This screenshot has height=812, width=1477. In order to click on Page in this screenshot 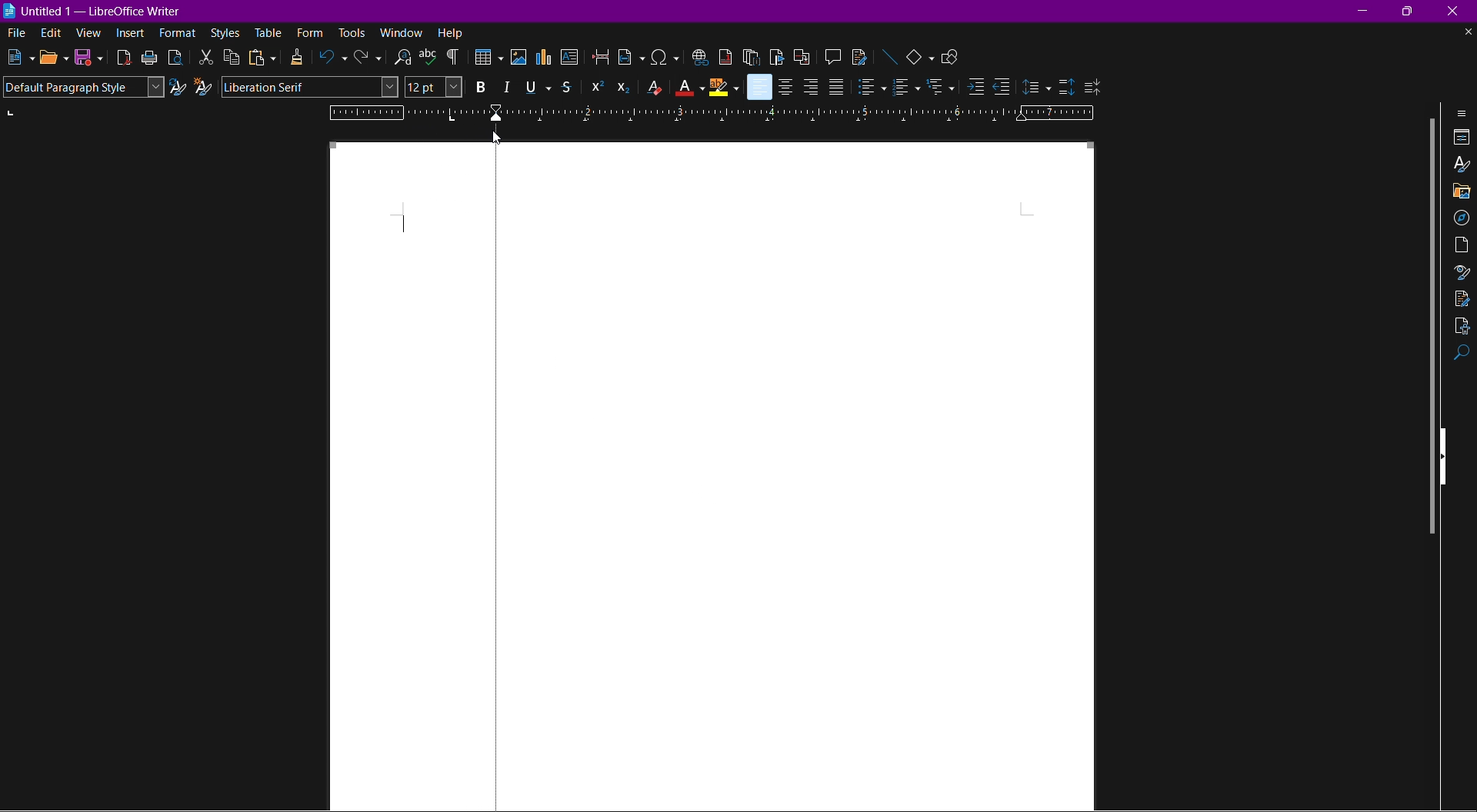, I will do `click(760, 478)`.